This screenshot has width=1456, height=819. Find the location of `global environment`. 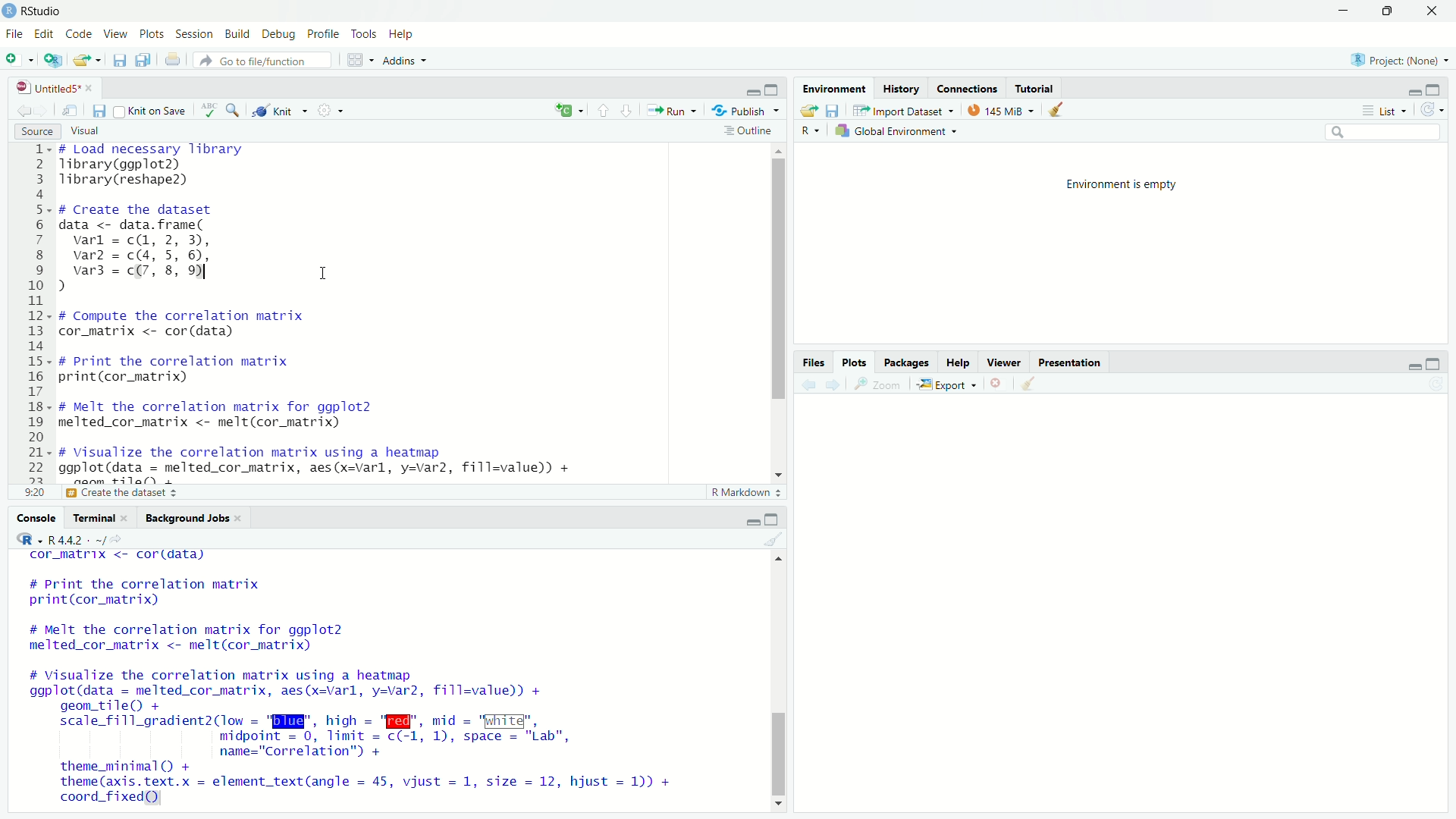

global environment is located at coordinates (896, 132).